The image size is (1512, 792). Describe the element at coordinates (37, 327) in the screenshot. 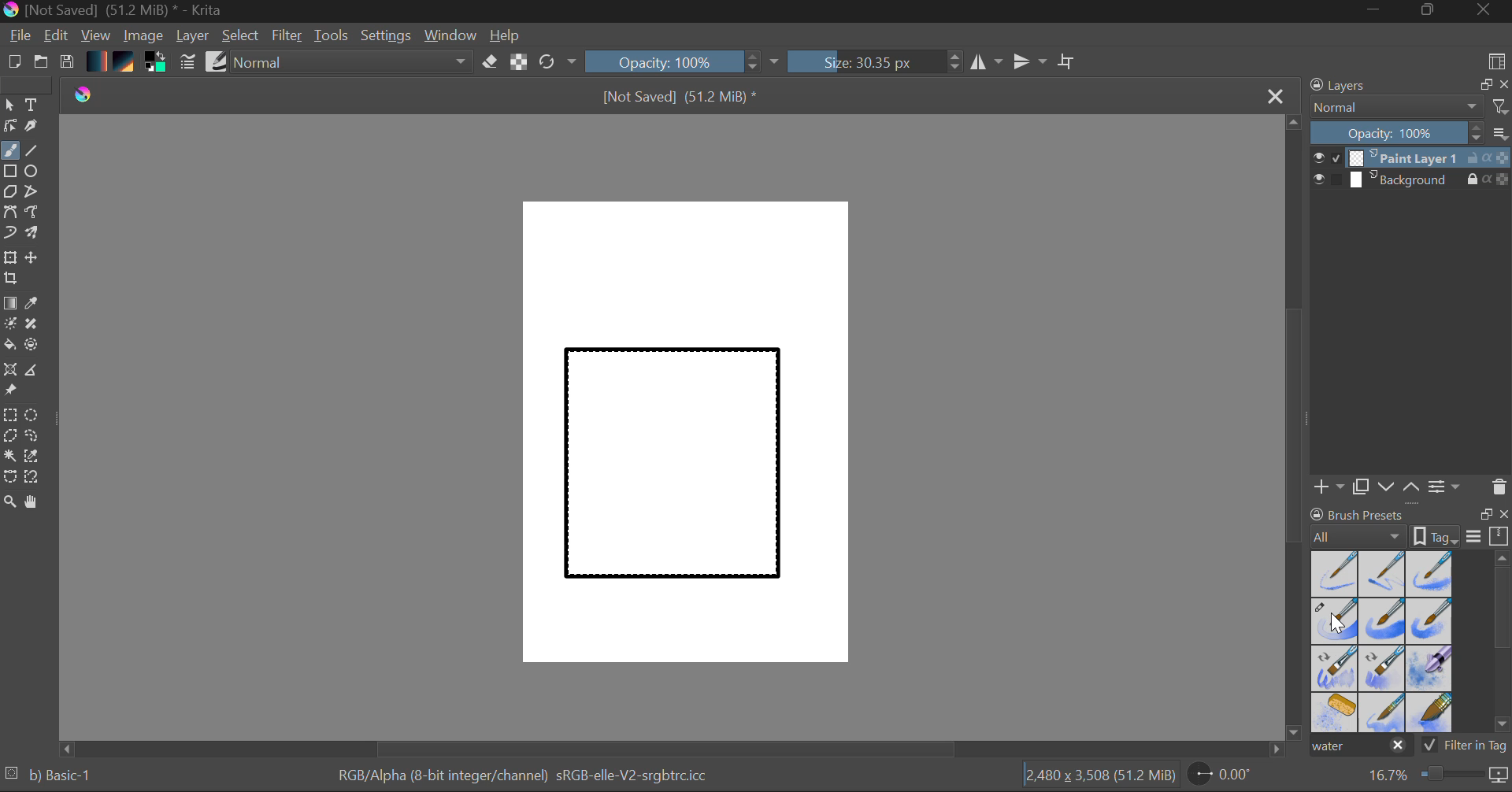

I see `Smart Patch Tool` at that location.